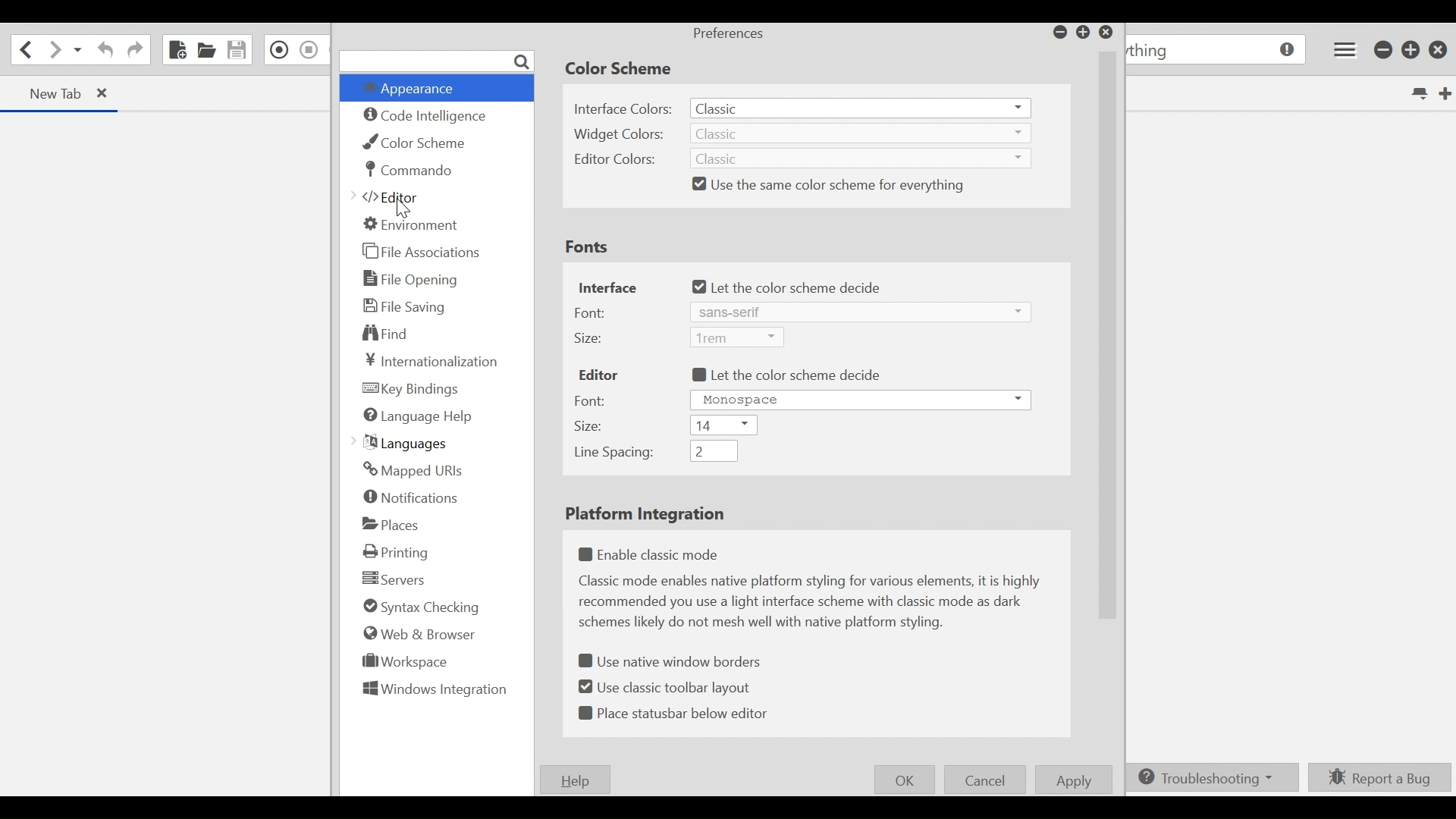 The height and width of the screenshot is (819, 1456). Describe the element at coordinates (435, 87) in the screenshot. I see `Appearance` at that location.